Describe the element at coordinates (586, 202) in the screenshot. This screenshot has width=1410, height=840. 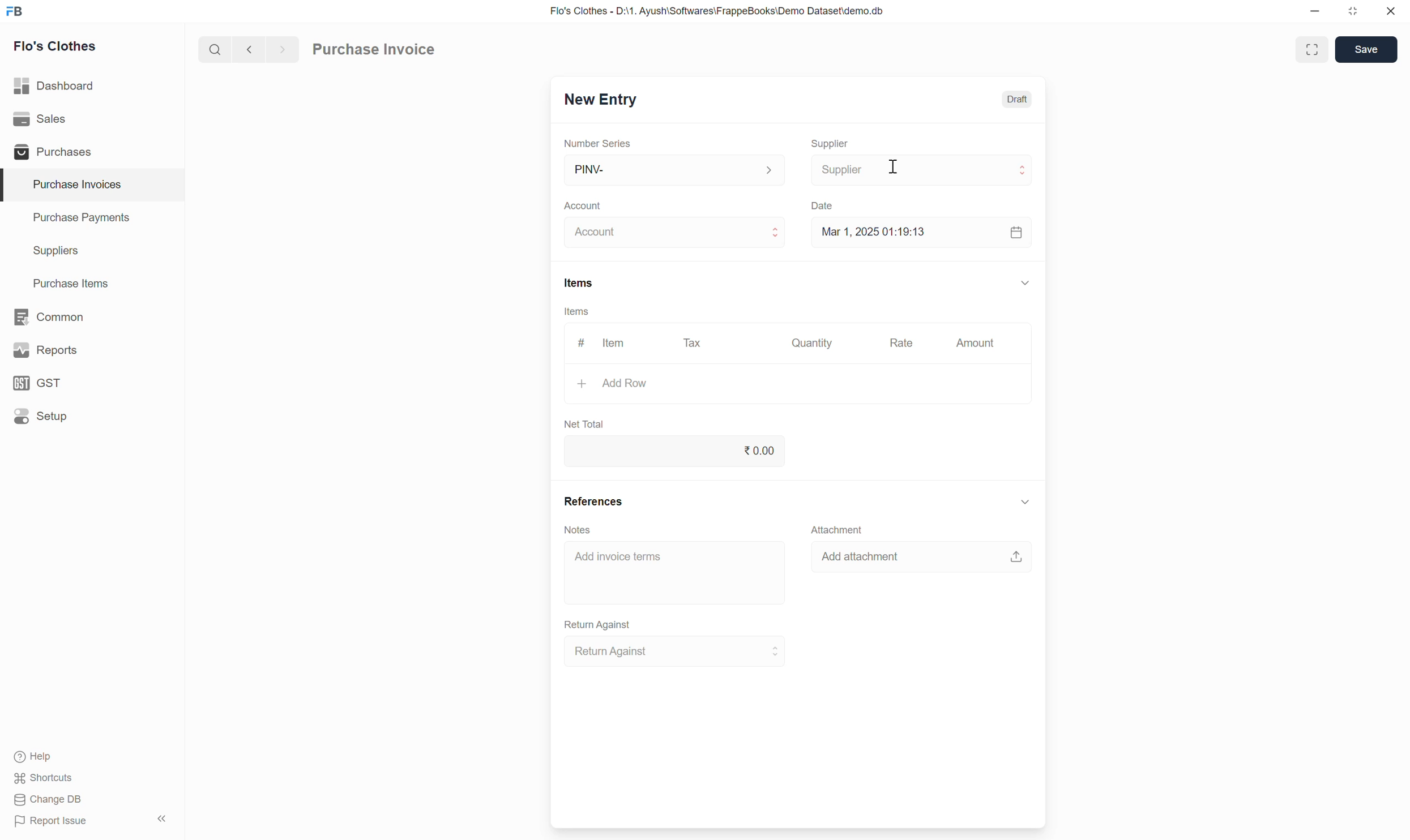
I see `Account` at that location.